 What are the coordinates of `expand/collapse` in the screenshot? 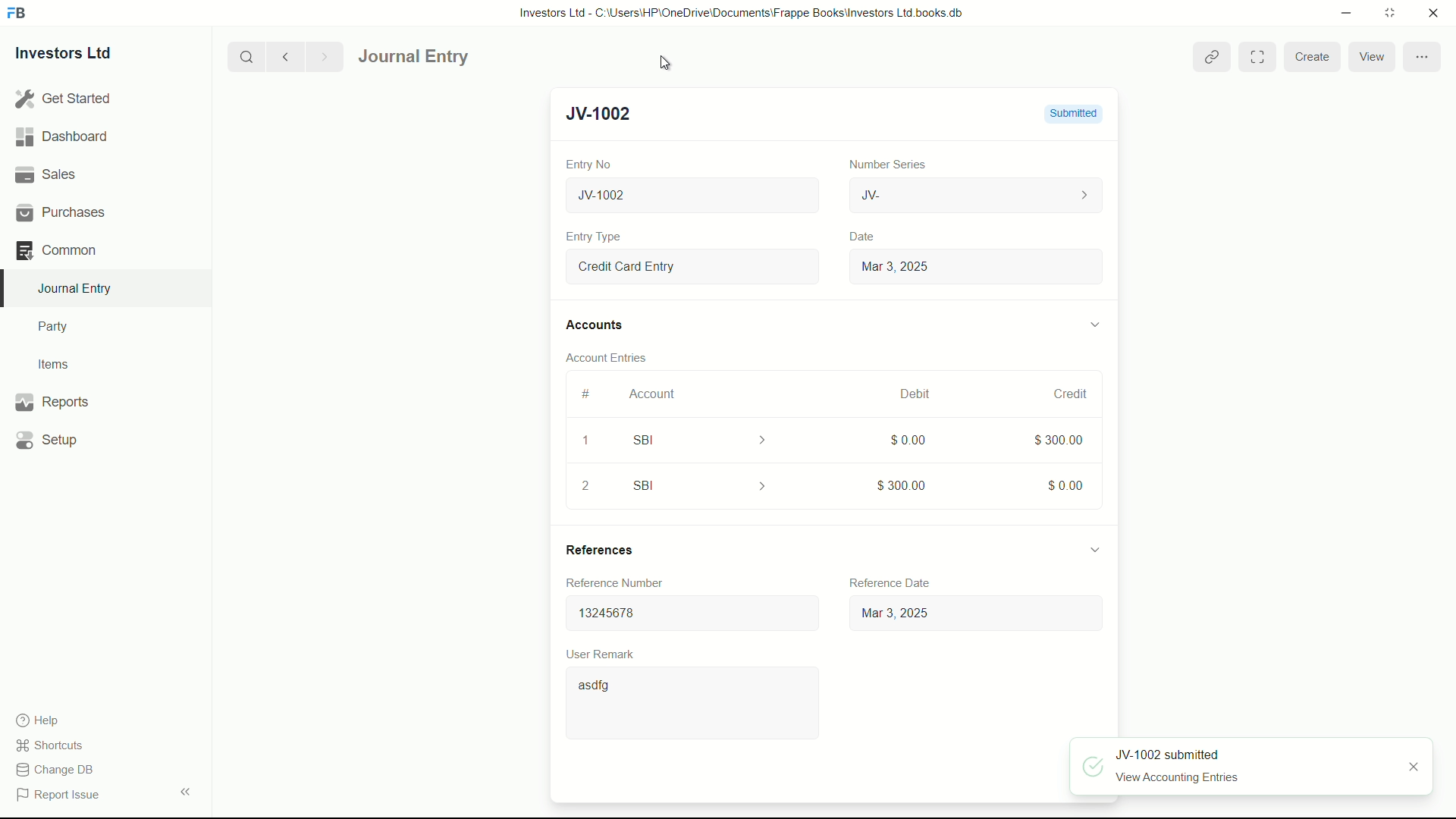 It's located at (1091, 548).